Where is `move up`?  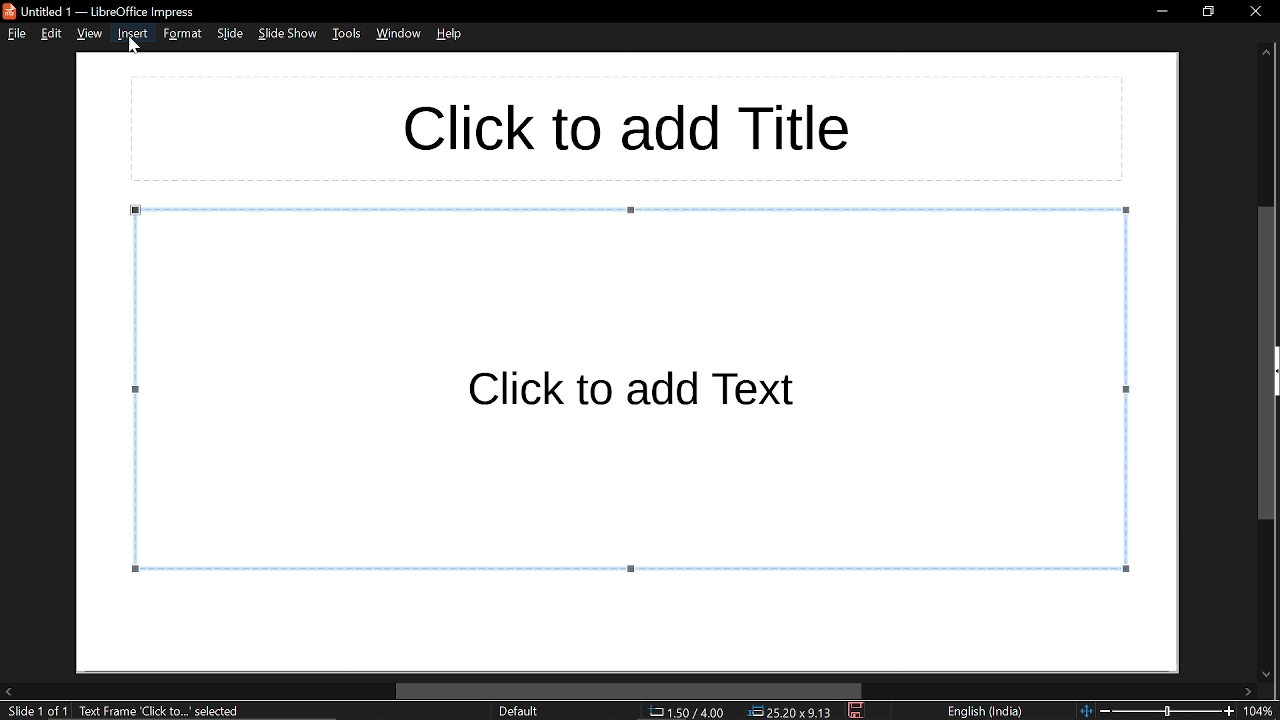 move up is located at coordinates (1266, 55).